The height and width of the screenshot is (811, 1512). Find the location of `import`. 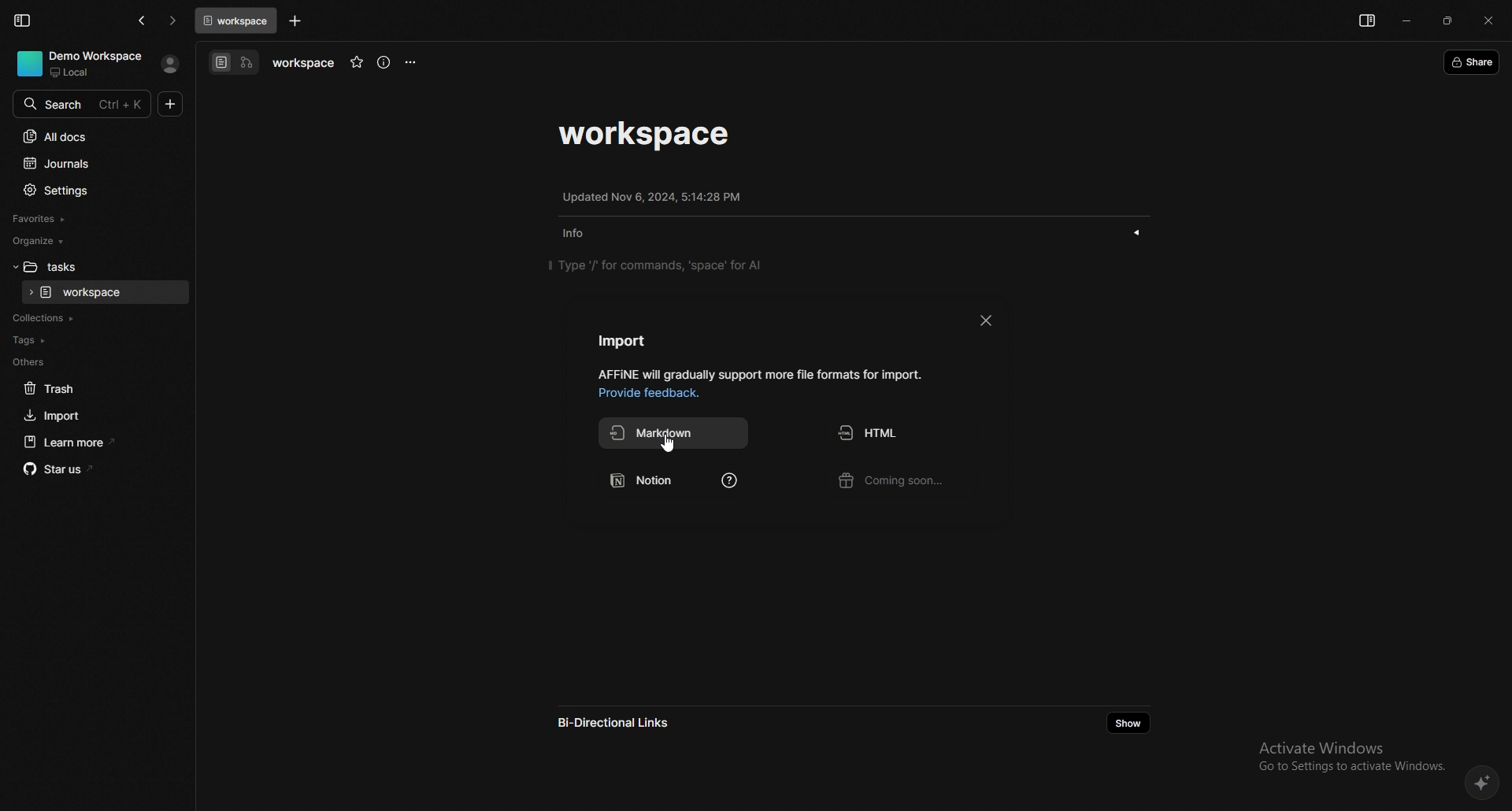

import is located at coordinates (624, 340).